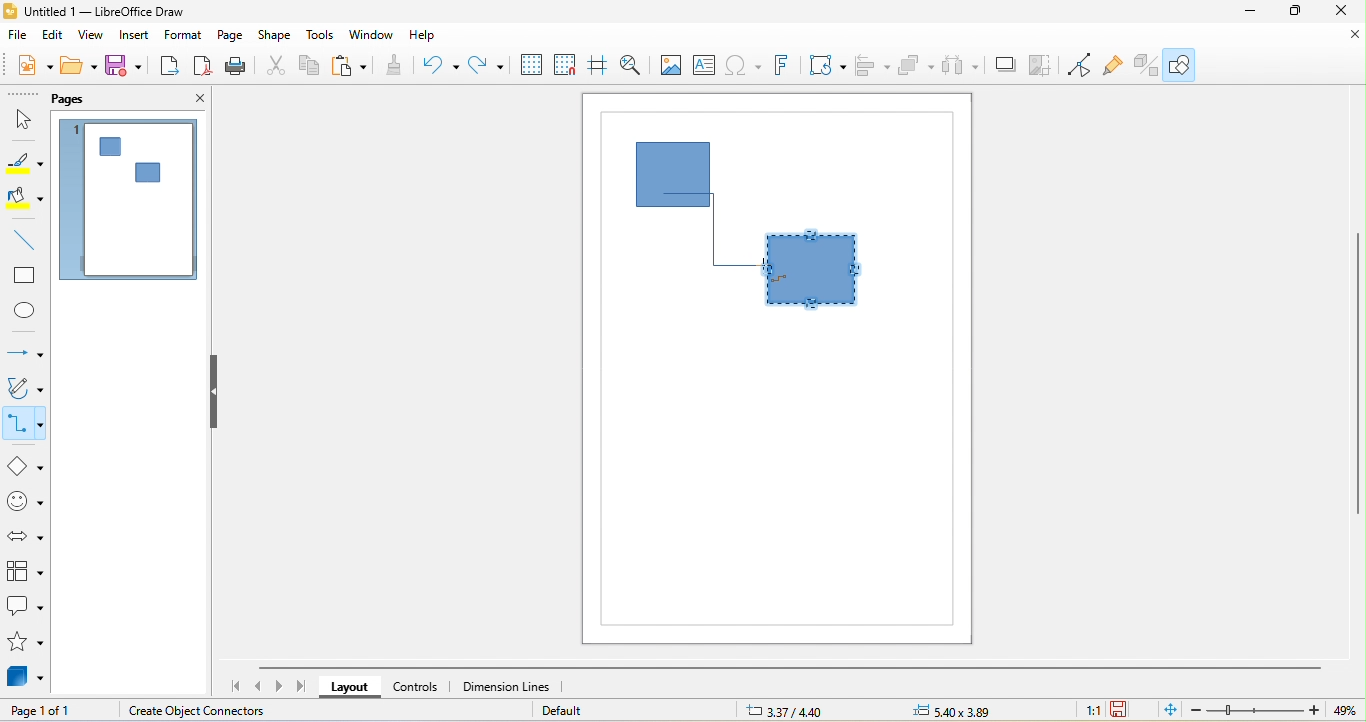  What do you see at coordinates (323, 36) in the screenshot?
I see `tools` at bounding box center [323, 36].